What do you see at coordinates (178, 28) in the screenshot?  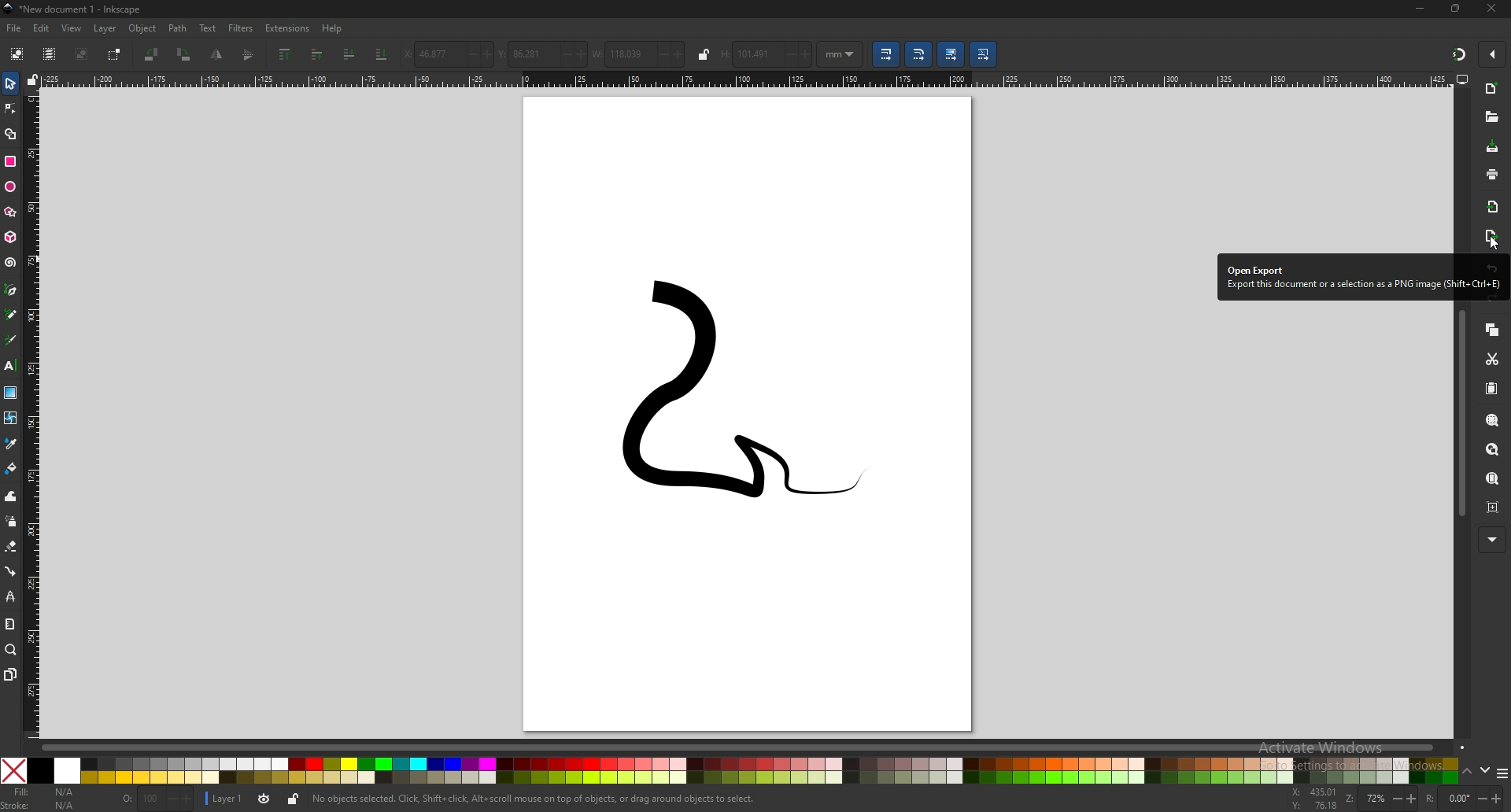 I see `path` at bounding box center [178, 28].